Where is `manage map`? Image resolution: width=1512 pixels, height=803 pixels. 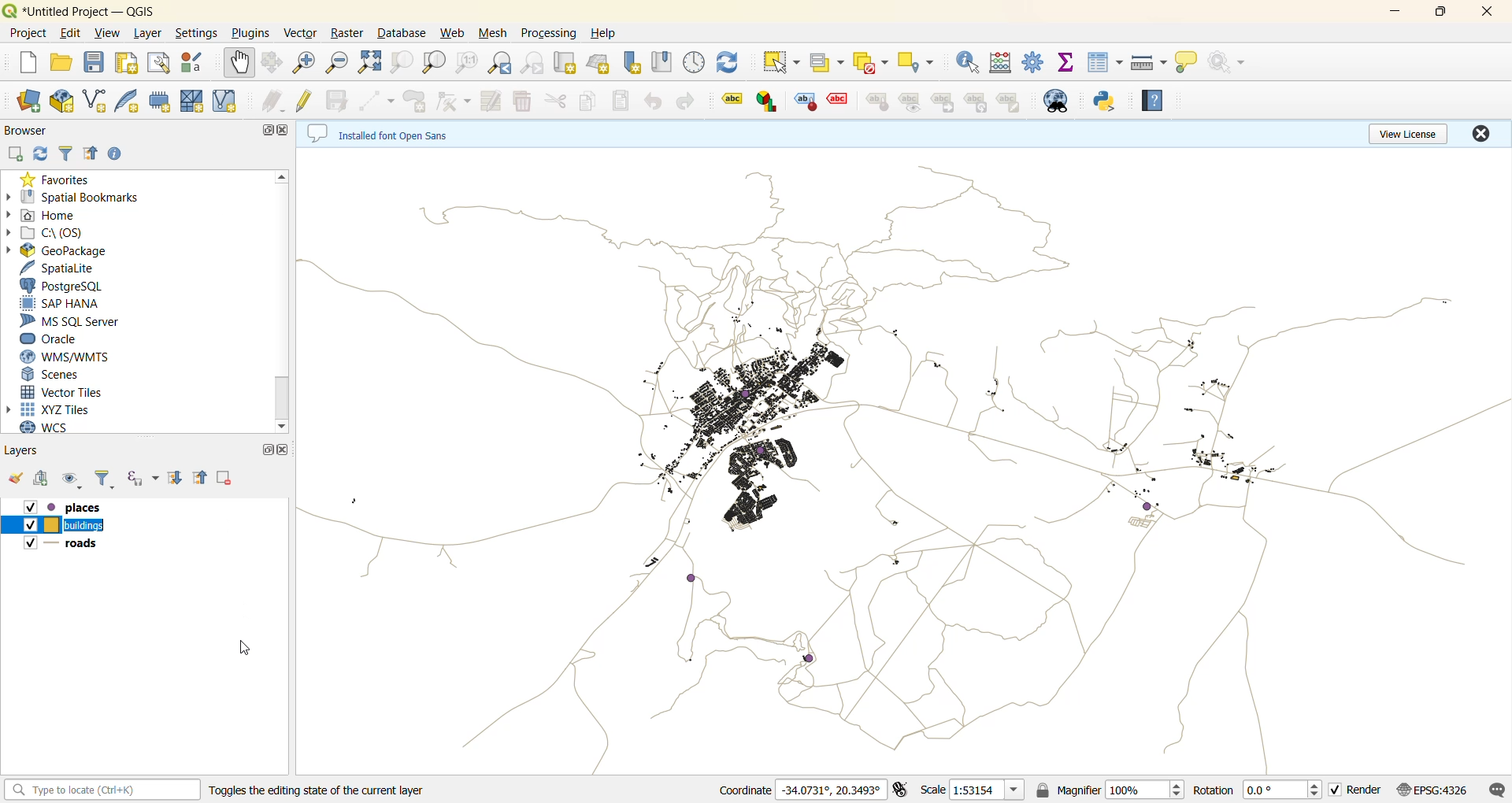
manage map is located at coordinates (72, 480).